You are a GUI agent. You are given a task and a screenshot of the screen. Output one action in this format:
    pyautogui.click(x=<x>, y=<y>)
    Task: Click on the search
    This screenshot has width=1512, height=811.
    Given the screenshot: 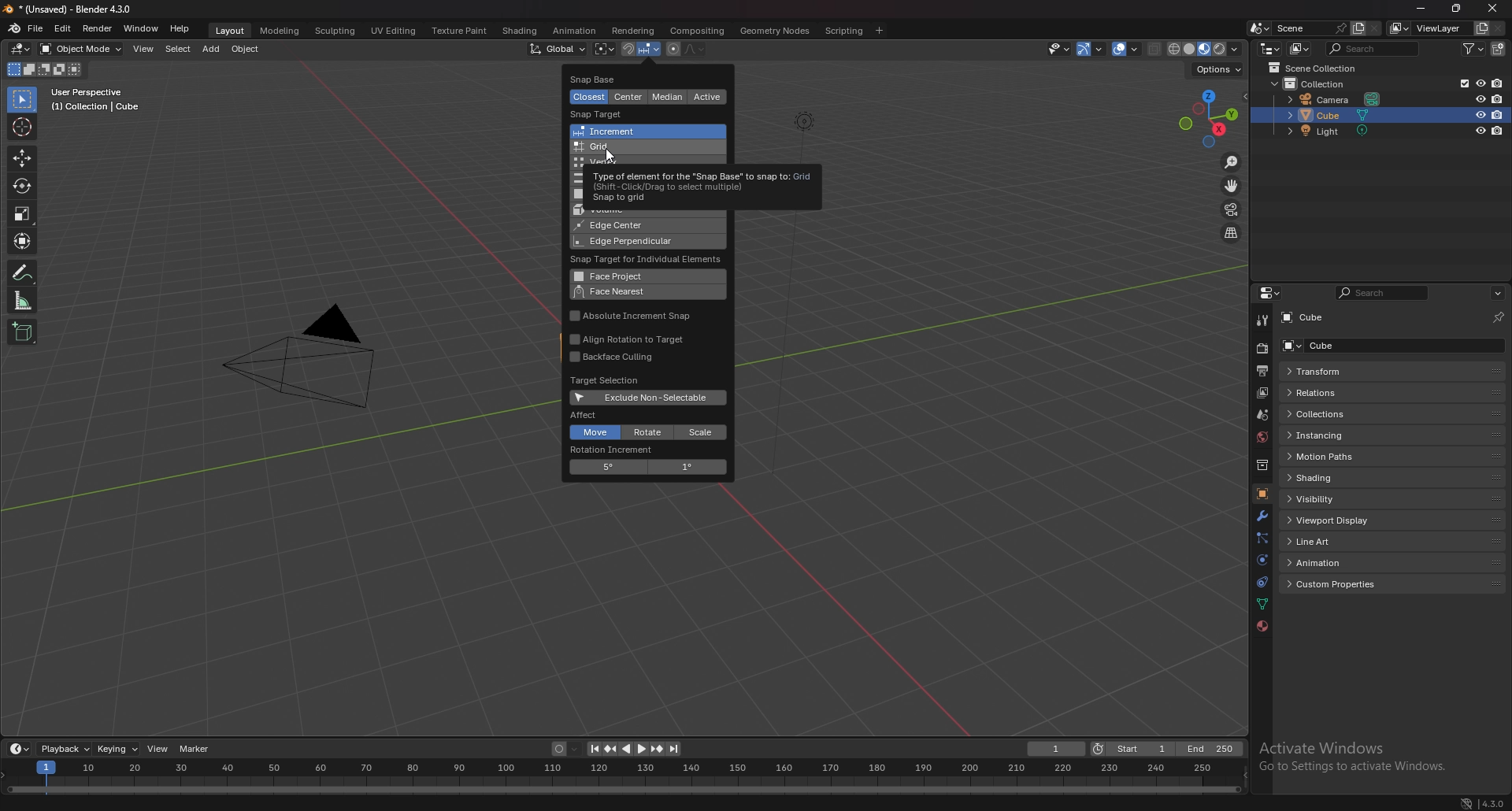 What is the action you would take?
    pyautogui.click(x=1374, y=48)
    